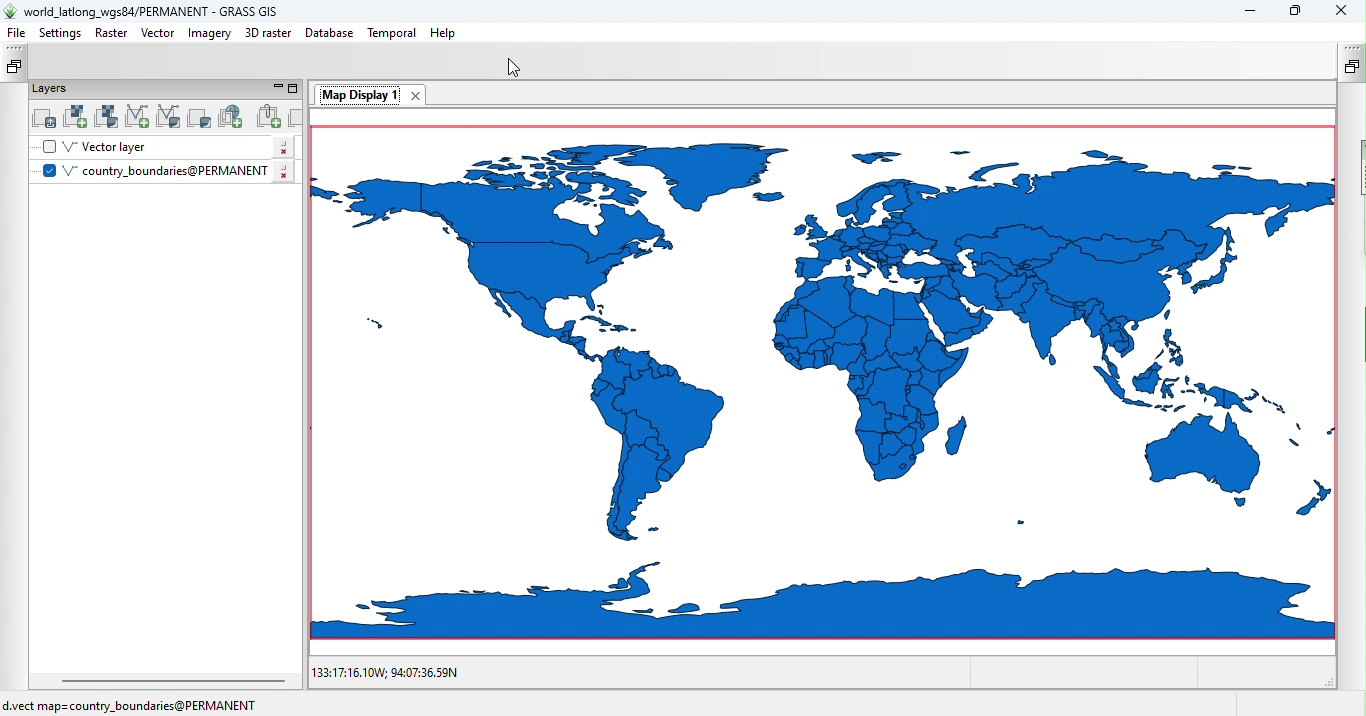 This screenshot has width=1366, height=716. What do you see at coordinates (823, 383) in the screenshot?
I see `Canvas` at bounding box center [823, 383].